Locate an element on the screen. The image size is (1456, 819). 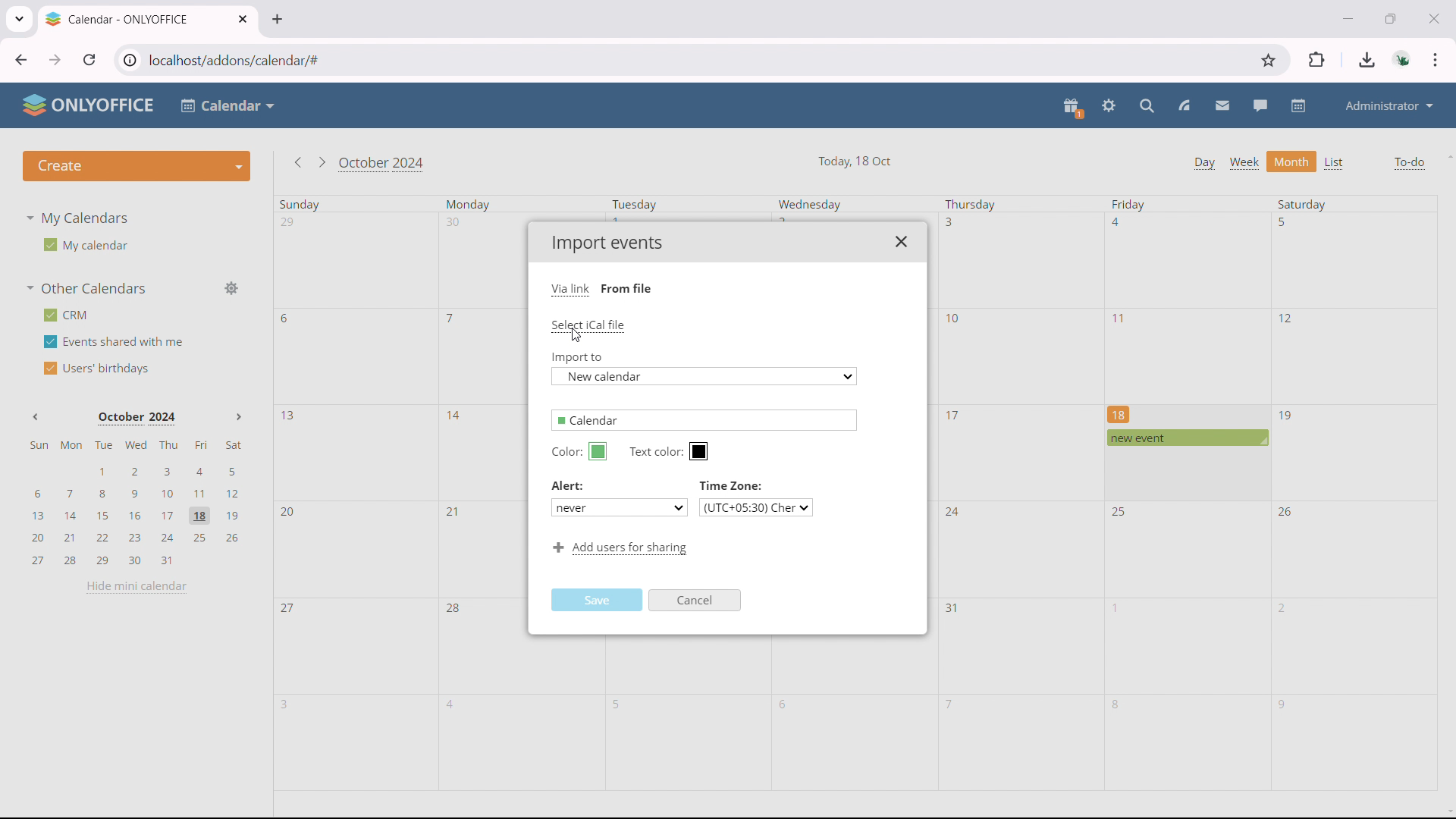
18 is located at coordinates (1119, 413).